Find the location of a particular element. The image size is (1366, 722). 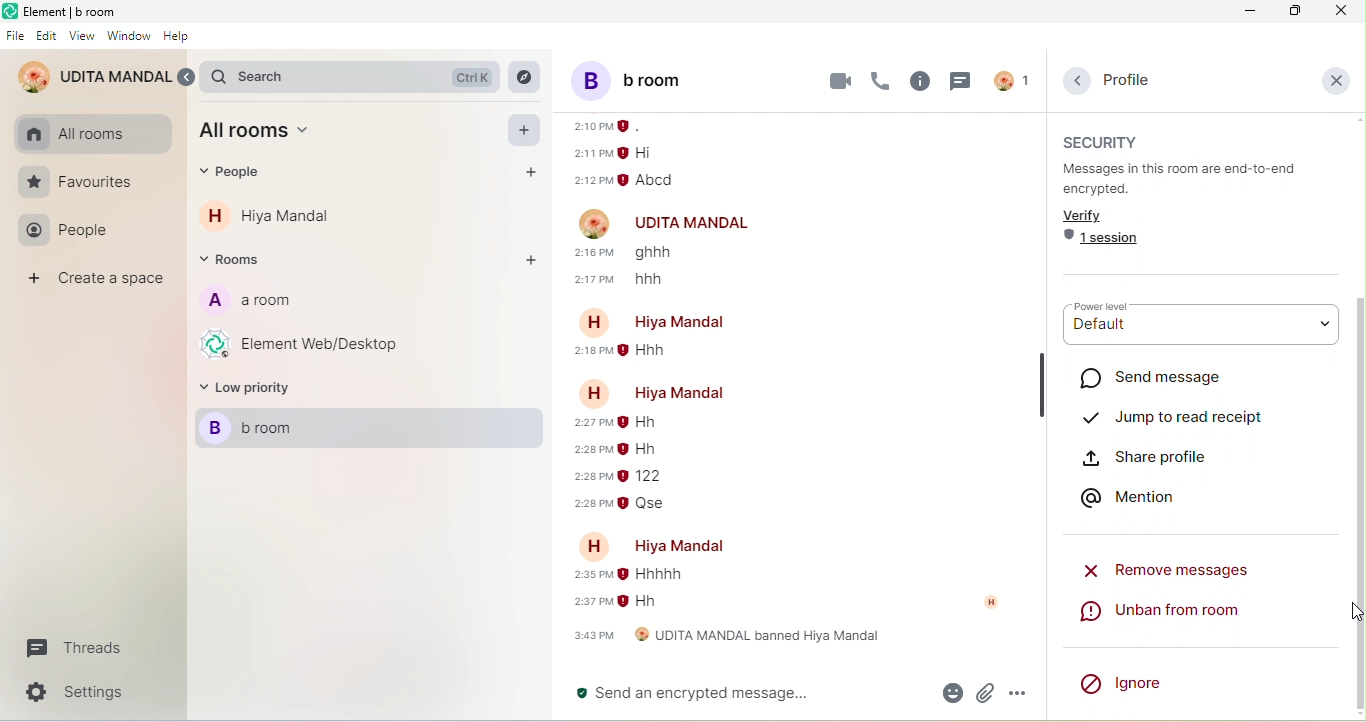

account profile image is located at coordinates (595, 222).